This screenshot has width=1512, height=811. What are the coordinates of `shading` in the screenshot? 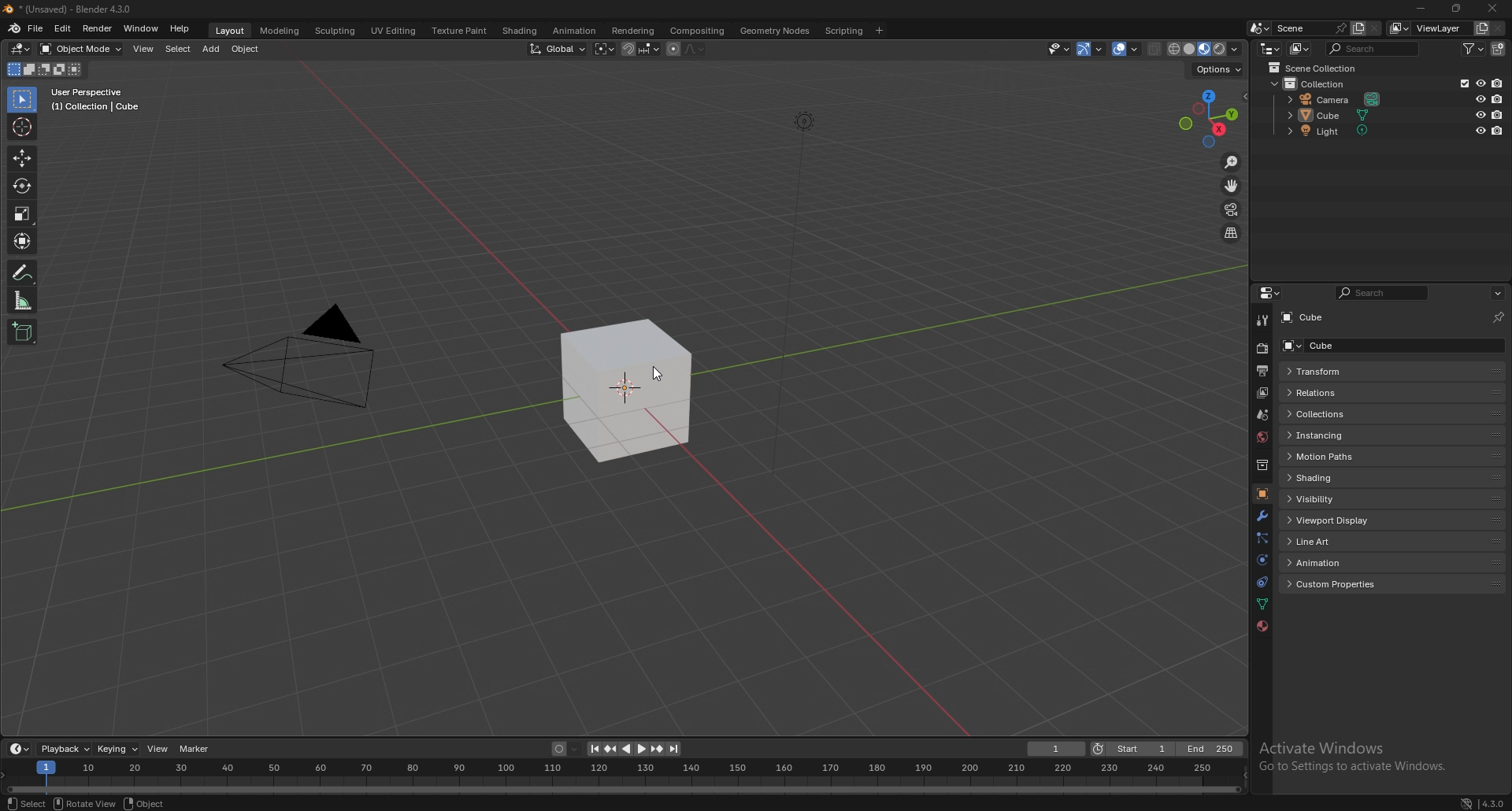 It's located at (522, 30).